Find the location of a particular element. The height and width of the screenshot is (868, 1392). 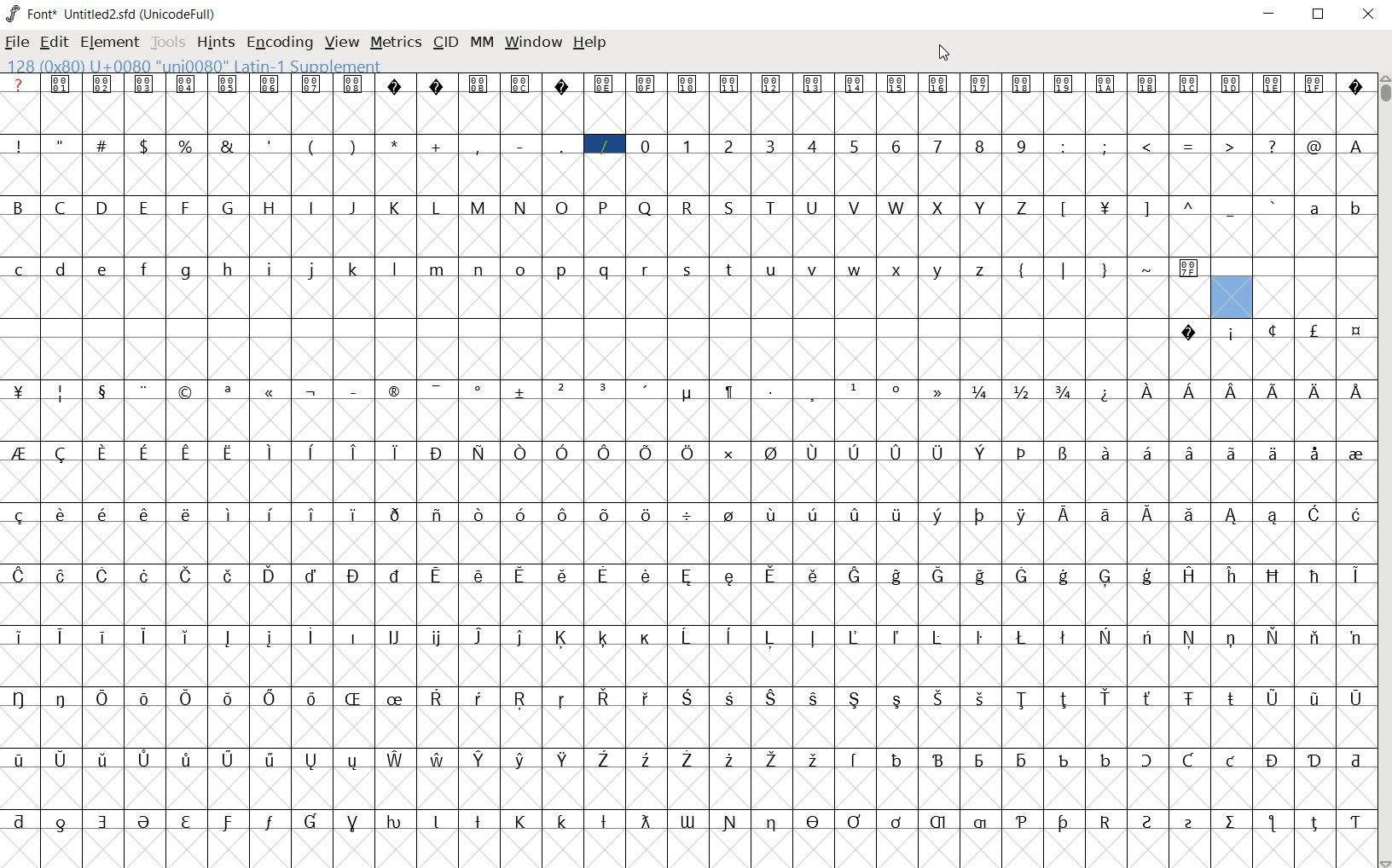

glyph is located at coordinates (478, 698).